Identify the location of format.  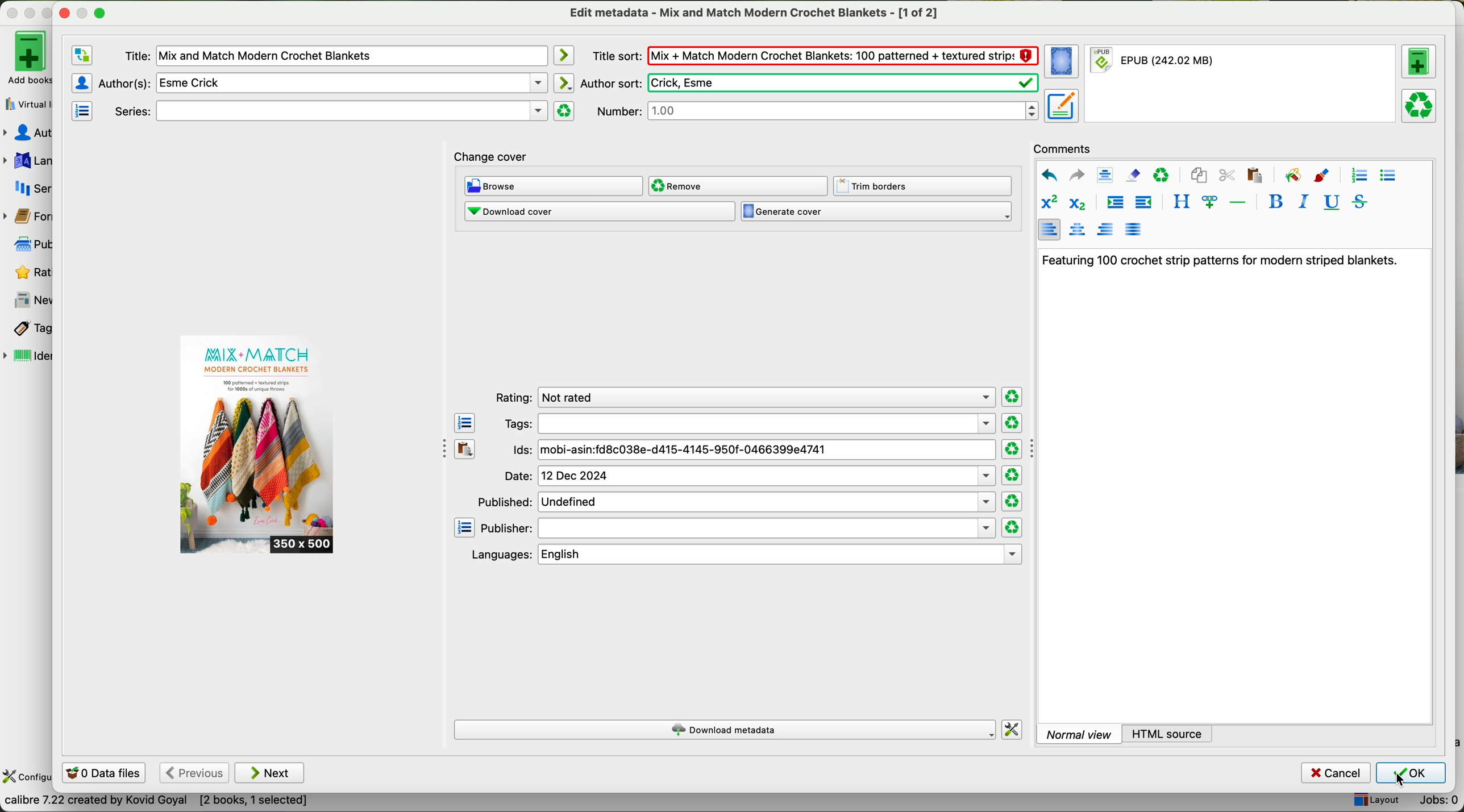
(1242, 84).